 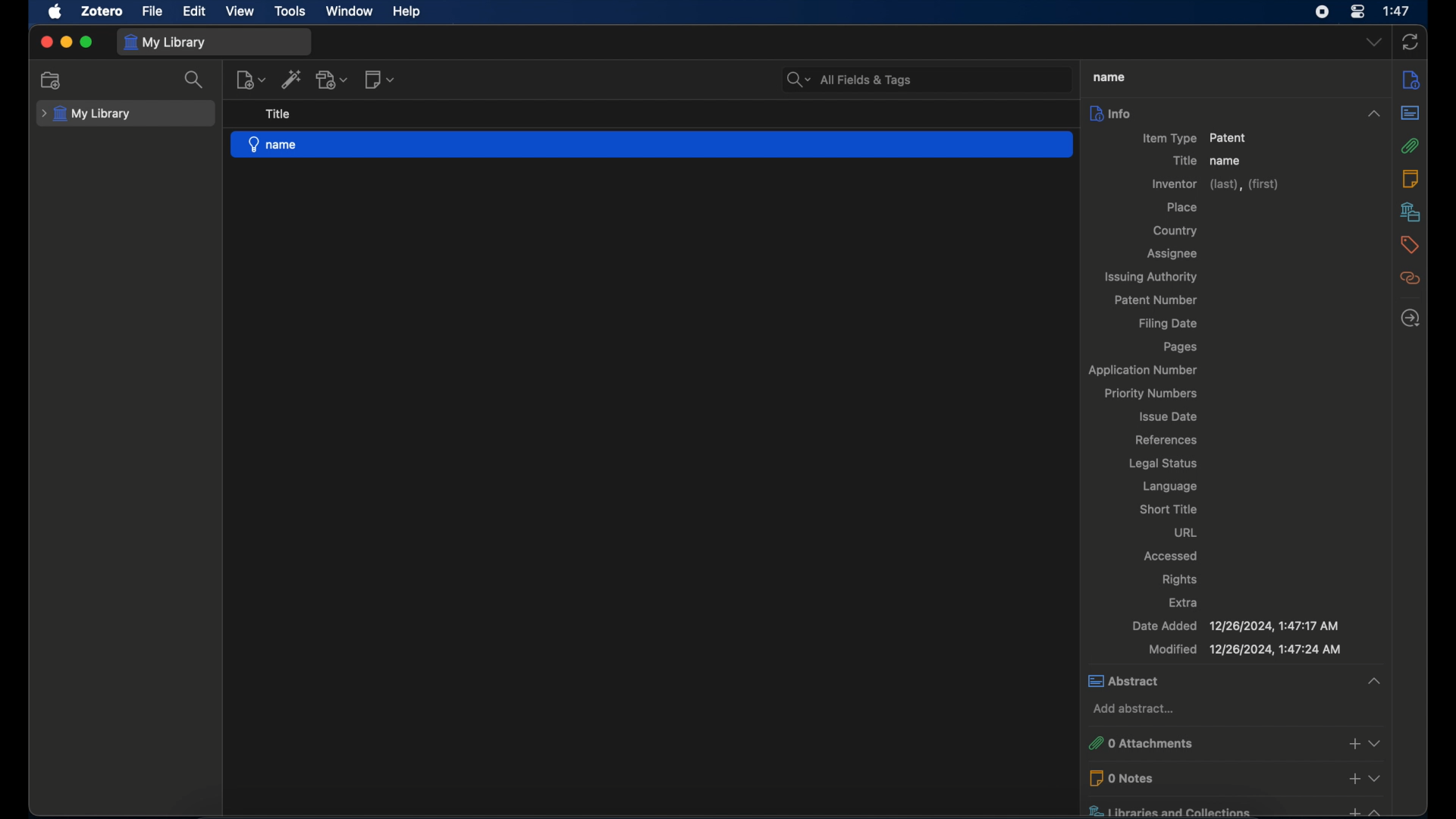 What do you see at coordinates (350, 11) in the screenshot?
I see `window` at bounding box center [350, 11].